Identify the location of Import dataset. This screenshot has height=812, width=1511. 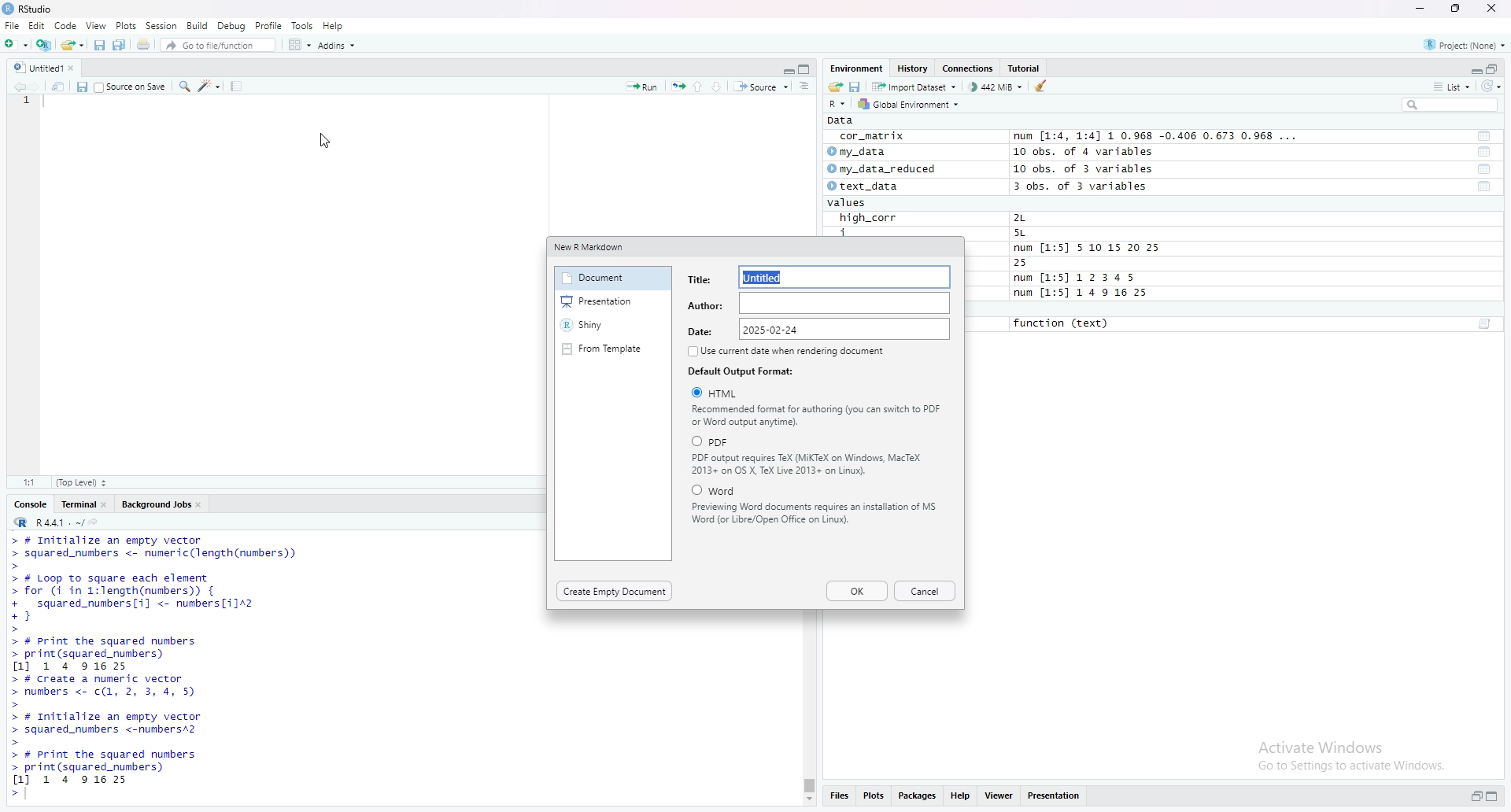
(915, 87).